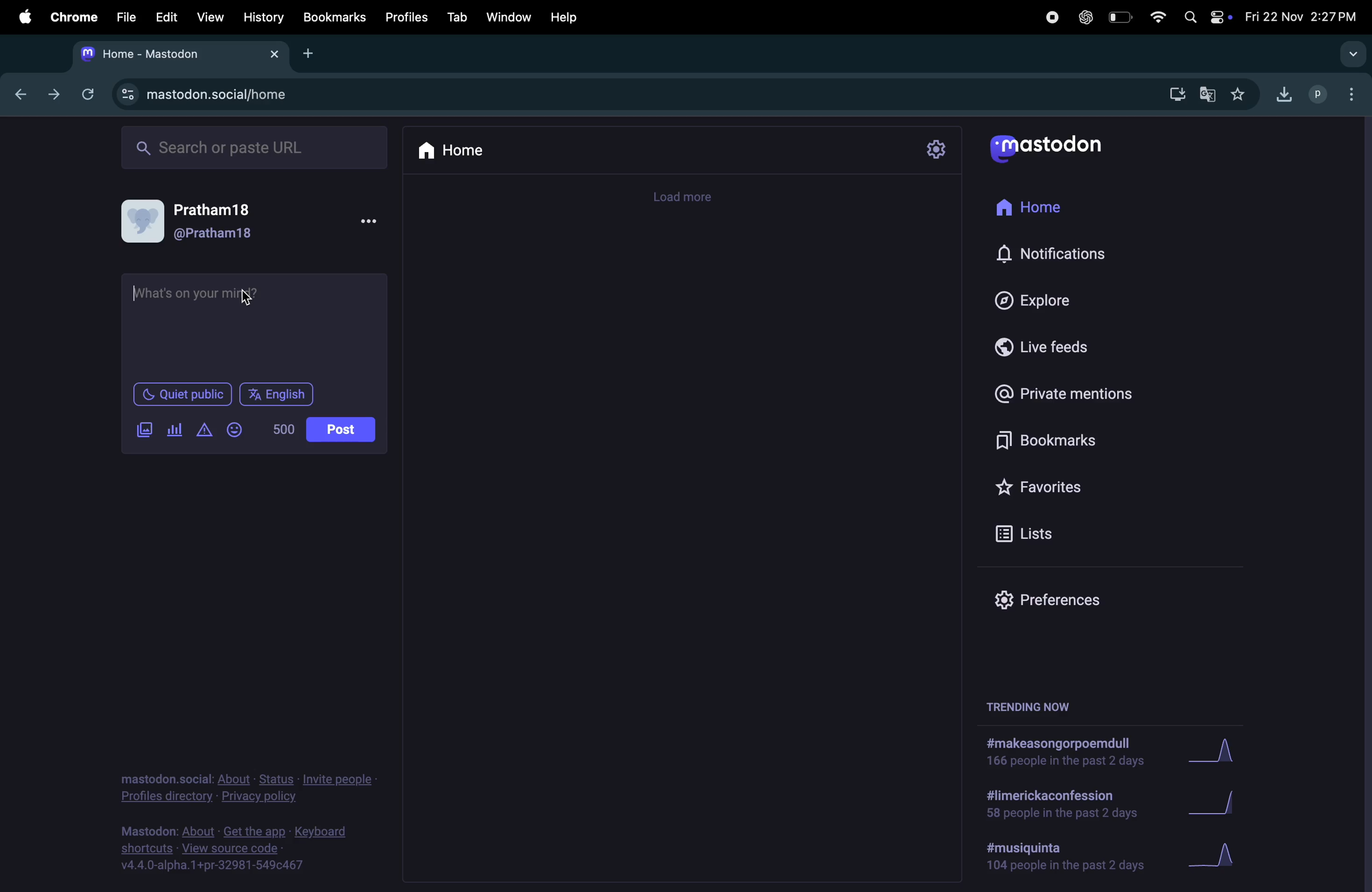 The width and height of the screenshot is (1372, 892). I want to click on tab, so click(136, 56).